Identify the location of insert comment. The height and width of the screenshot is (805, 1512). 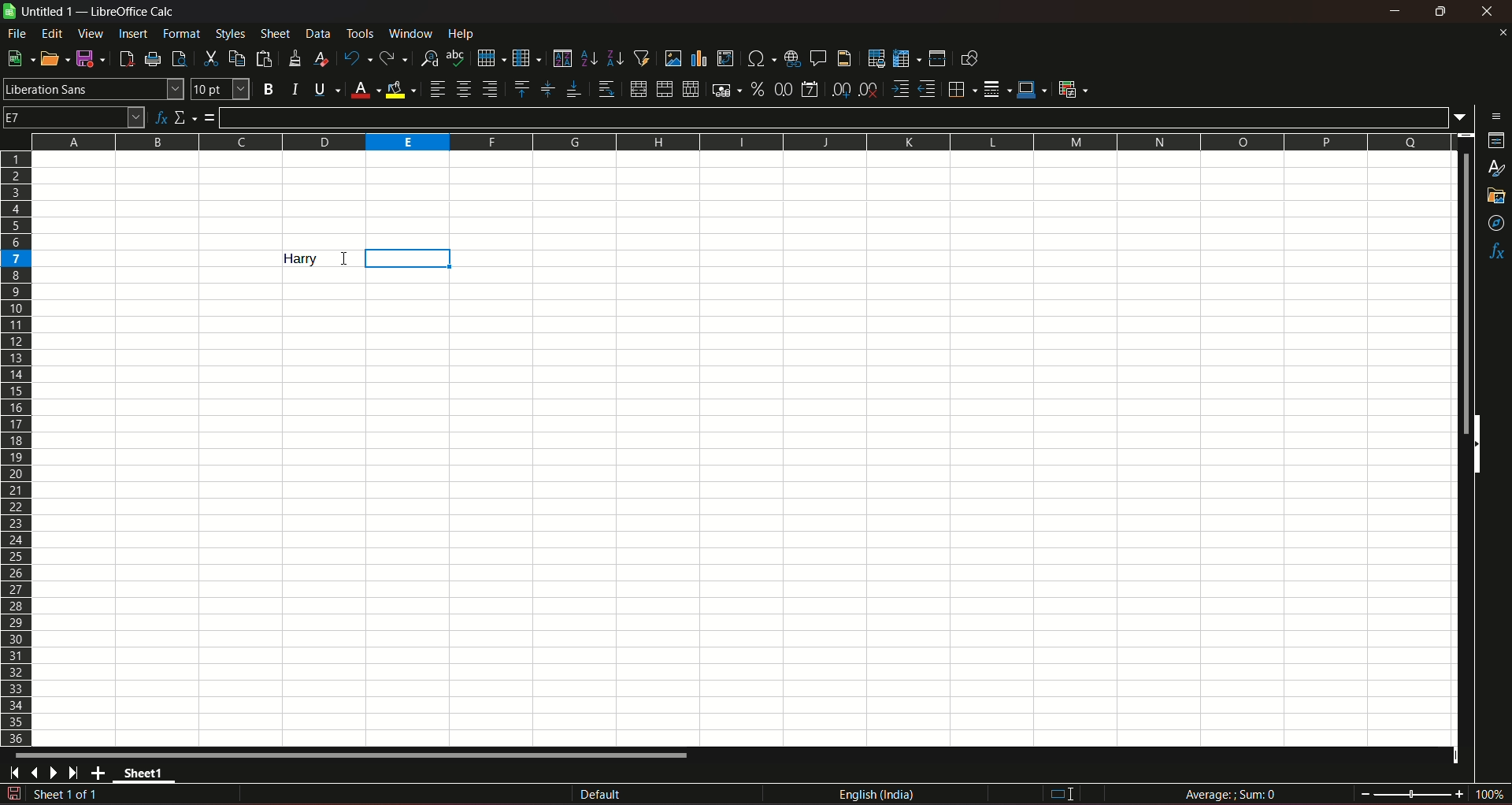
(817, 57).